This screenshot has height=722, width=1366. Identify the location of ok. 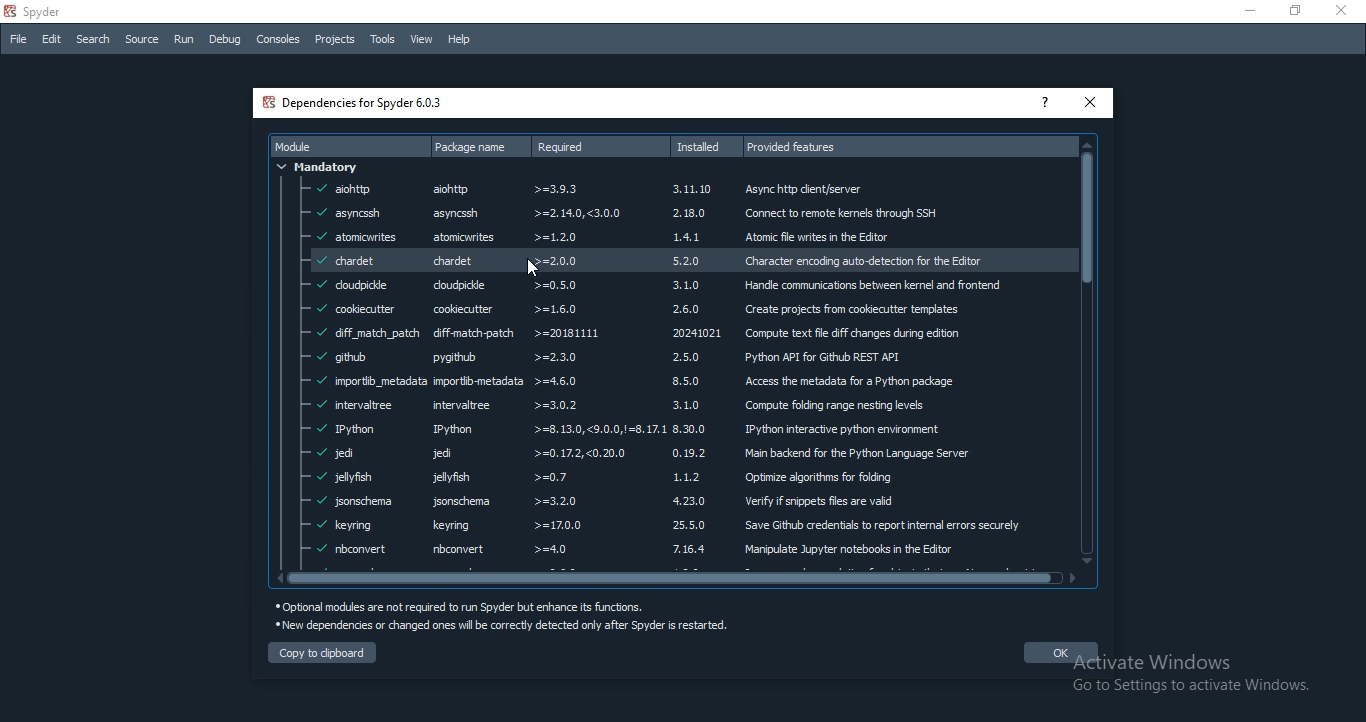
(1050, 651).